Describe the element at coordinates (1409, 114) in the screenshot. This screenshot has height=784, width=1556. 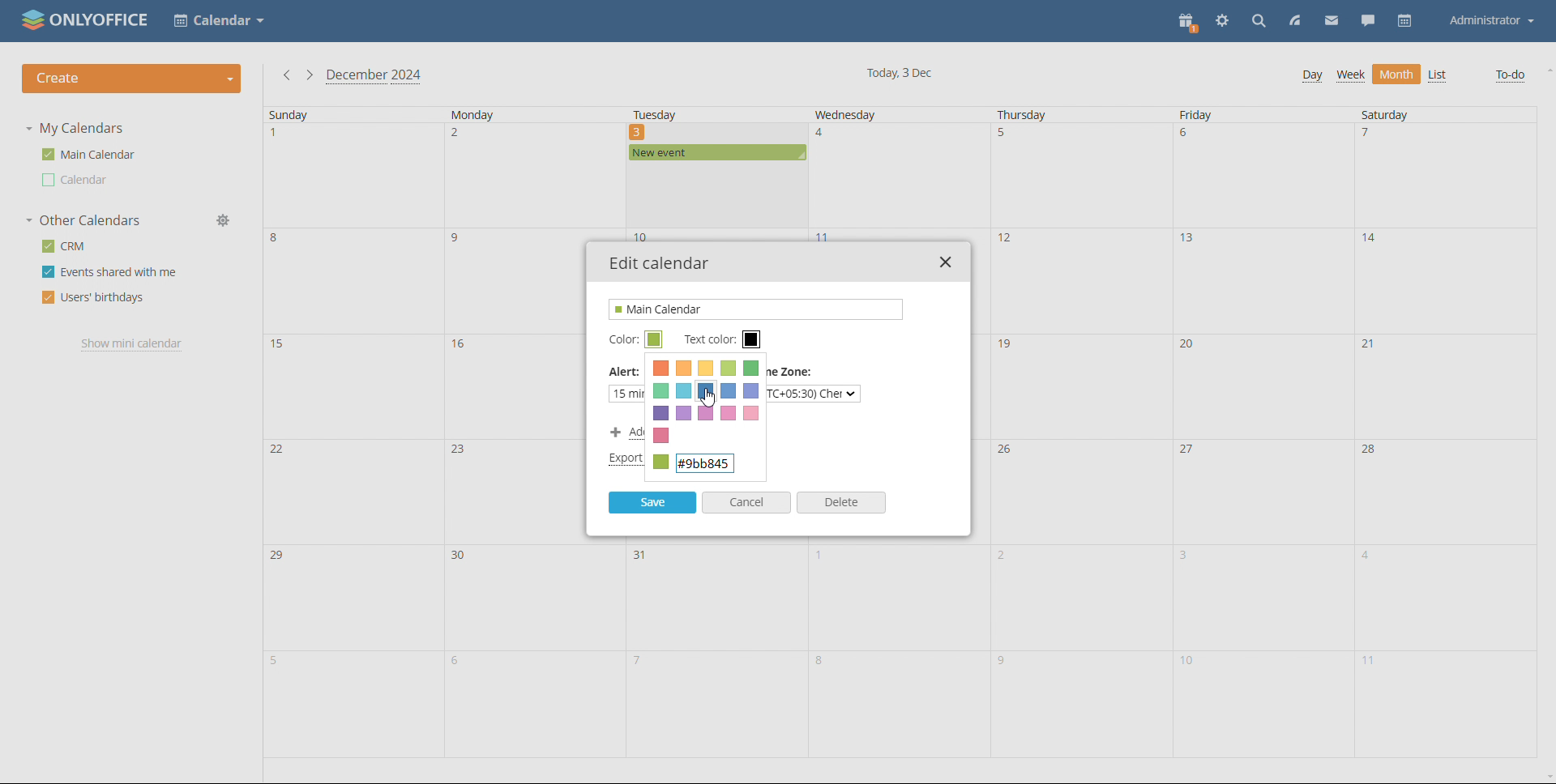
I see `Saturday` at that location.